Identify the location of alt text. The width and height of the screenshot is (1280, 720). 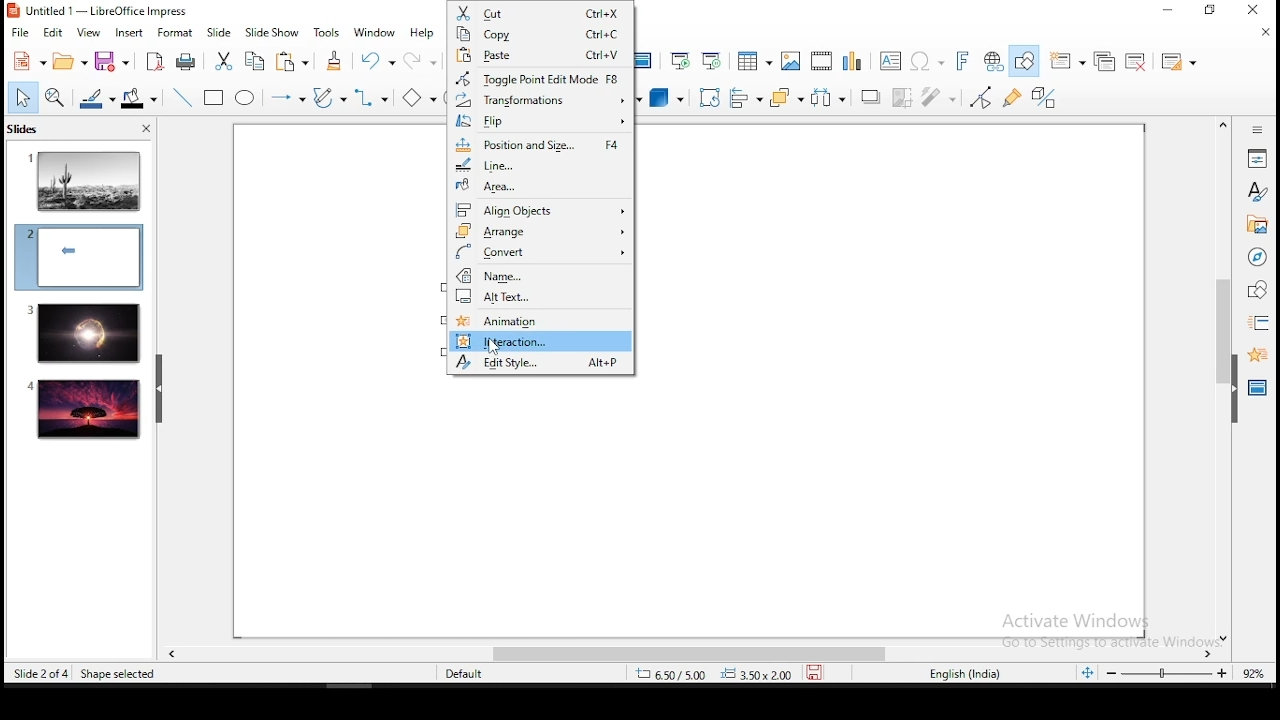
(541, 300).